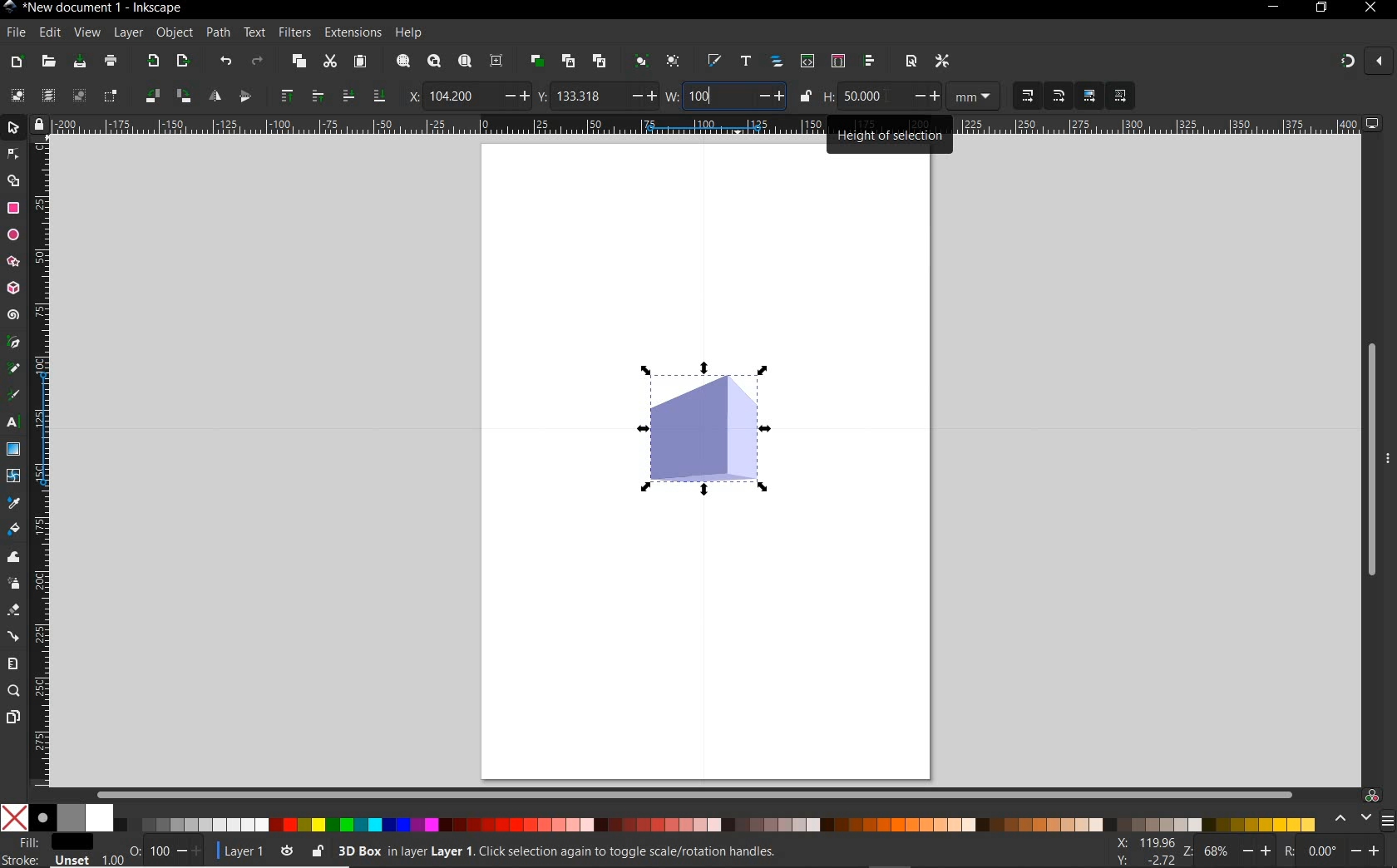 The image size is (1397, 868). Describe the element at coordinates (462, 96) in the screenshot. I see `104` at that location.